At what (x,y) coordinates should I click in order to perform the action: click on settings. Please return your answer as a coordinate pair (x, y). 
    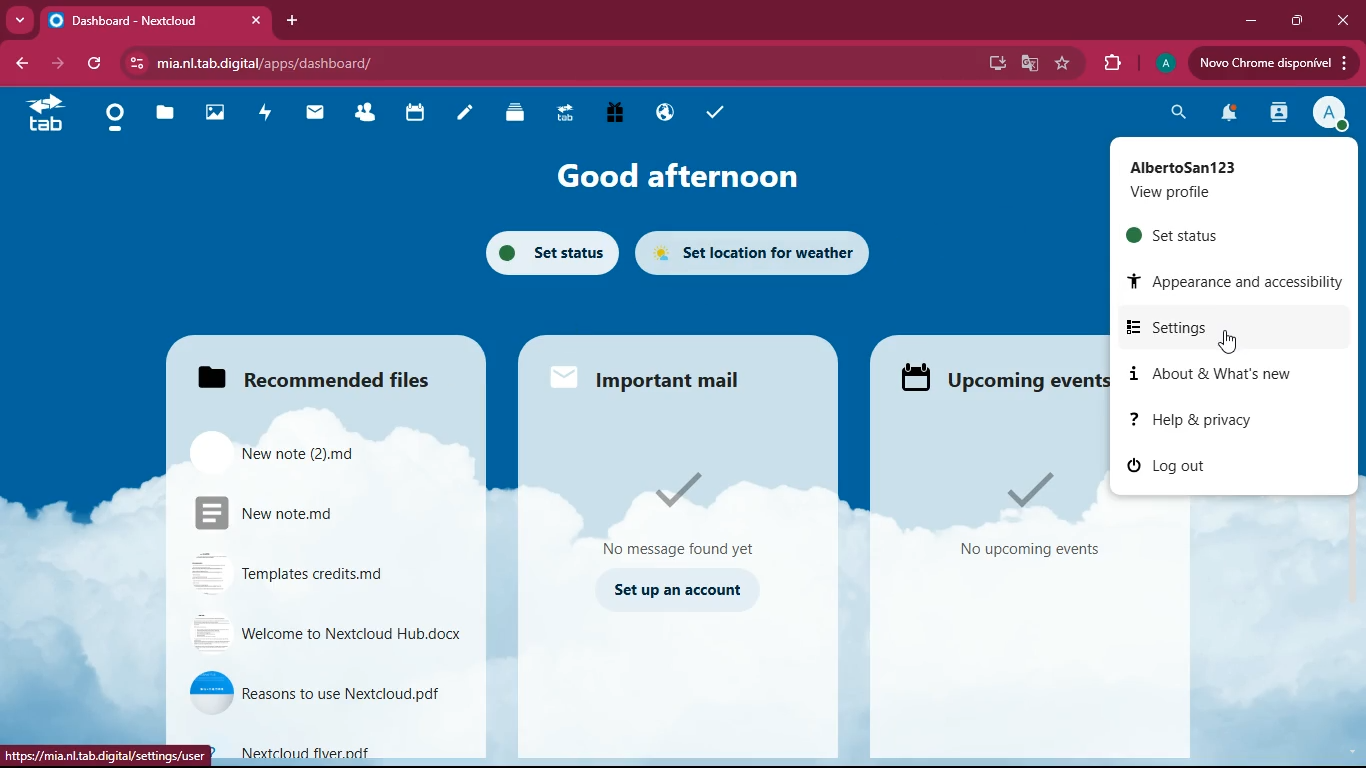
    Looking at the image, I should click on (1215, 327).